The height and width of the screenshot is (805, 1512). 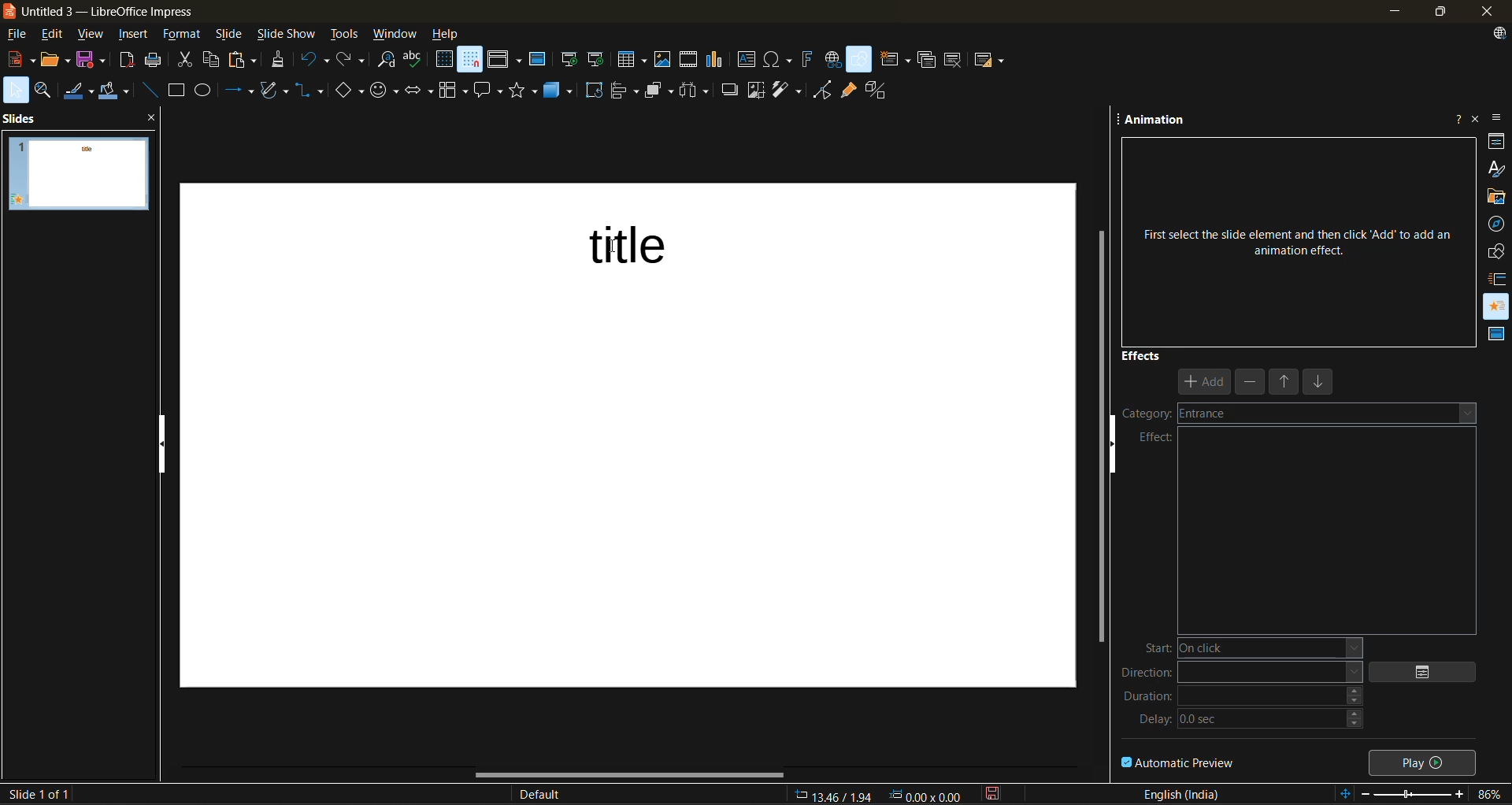 What do you see at coordinates (55, 34) in the screenshot?
I see `edit` at bounding box center [55, 34].